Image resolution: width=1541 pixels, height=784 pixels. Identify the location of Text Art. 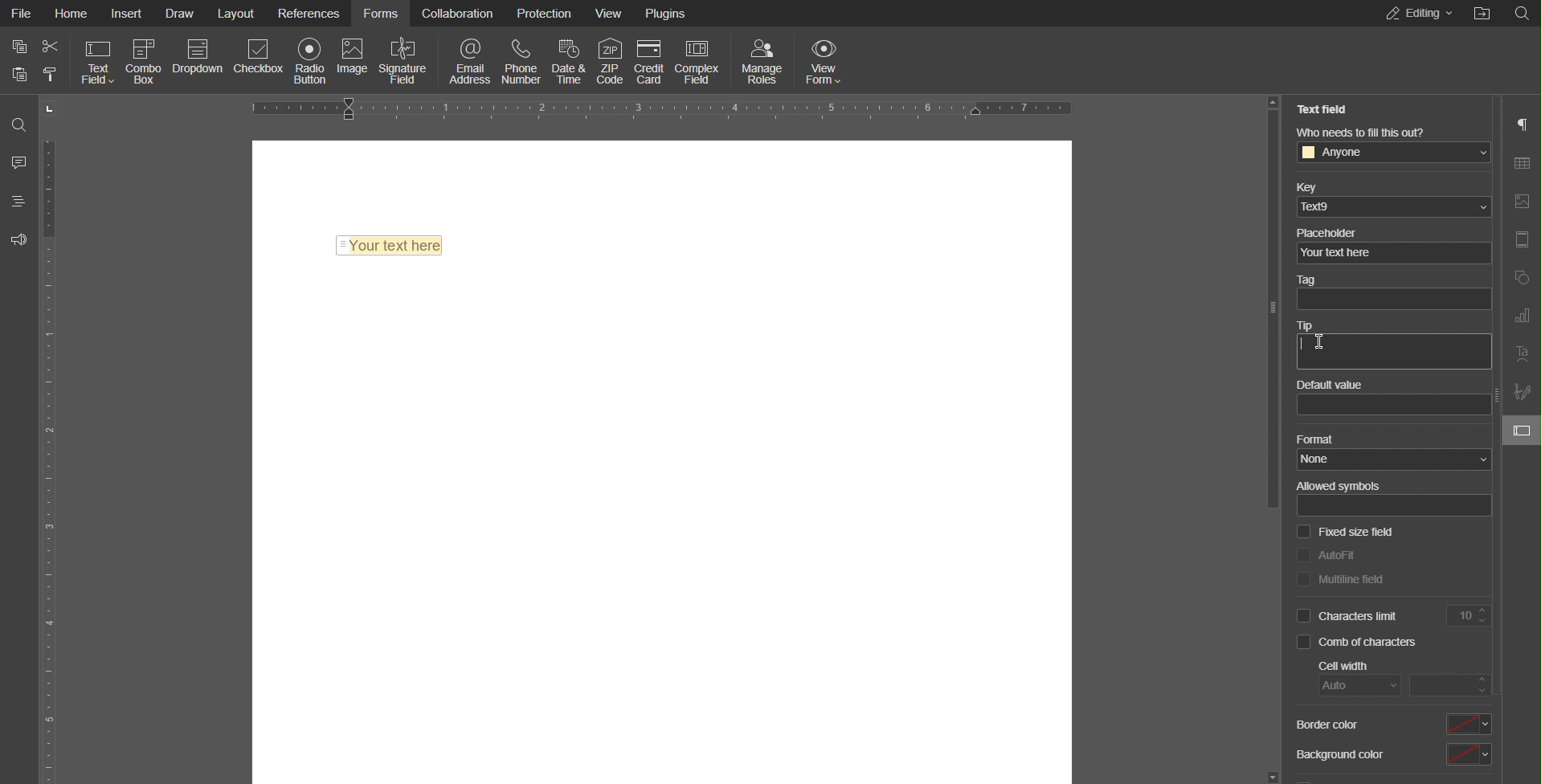
(1520, 354).